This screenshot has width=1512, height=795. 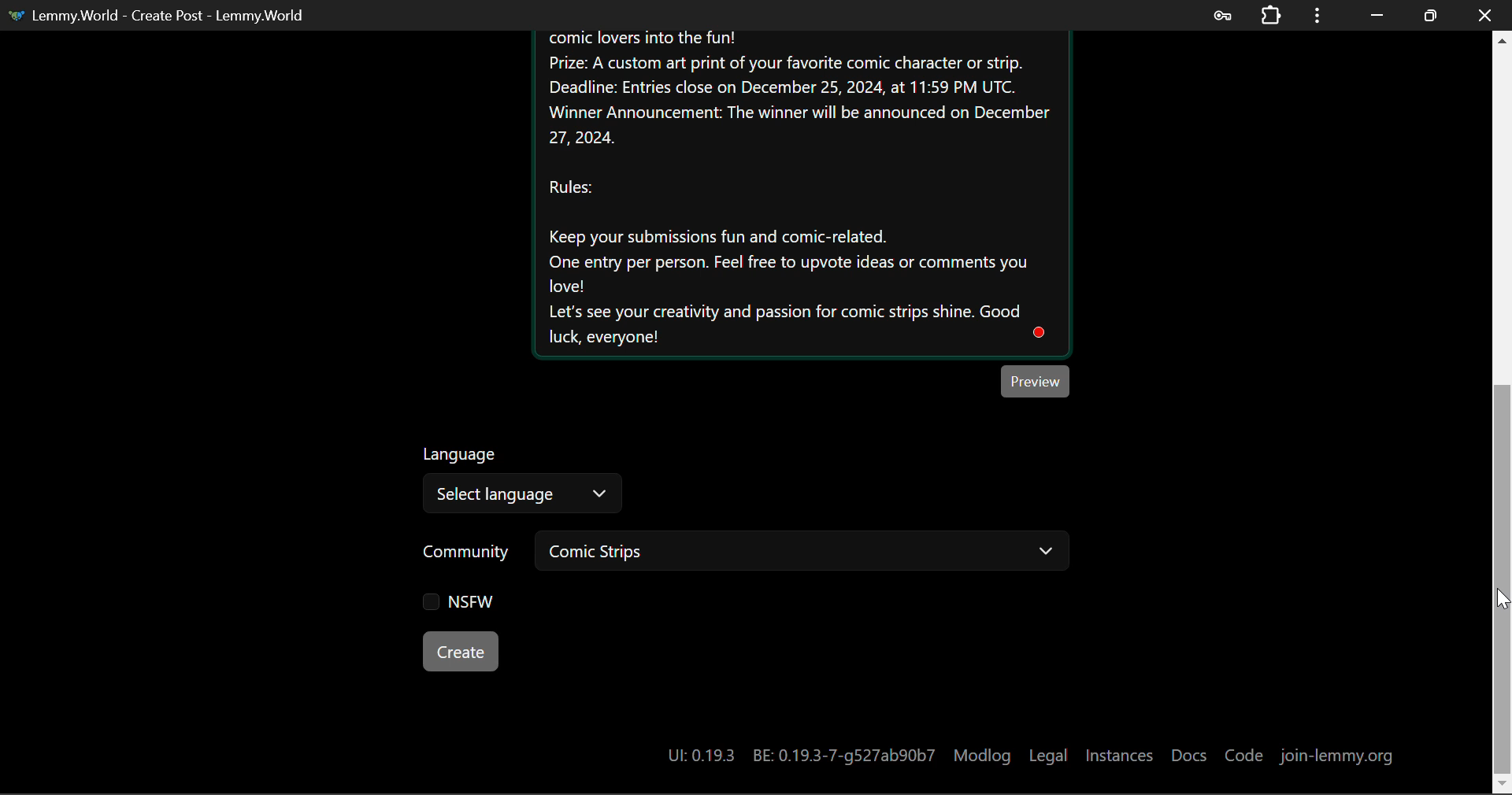 I want to click on Language, so click(x=462, y=452).